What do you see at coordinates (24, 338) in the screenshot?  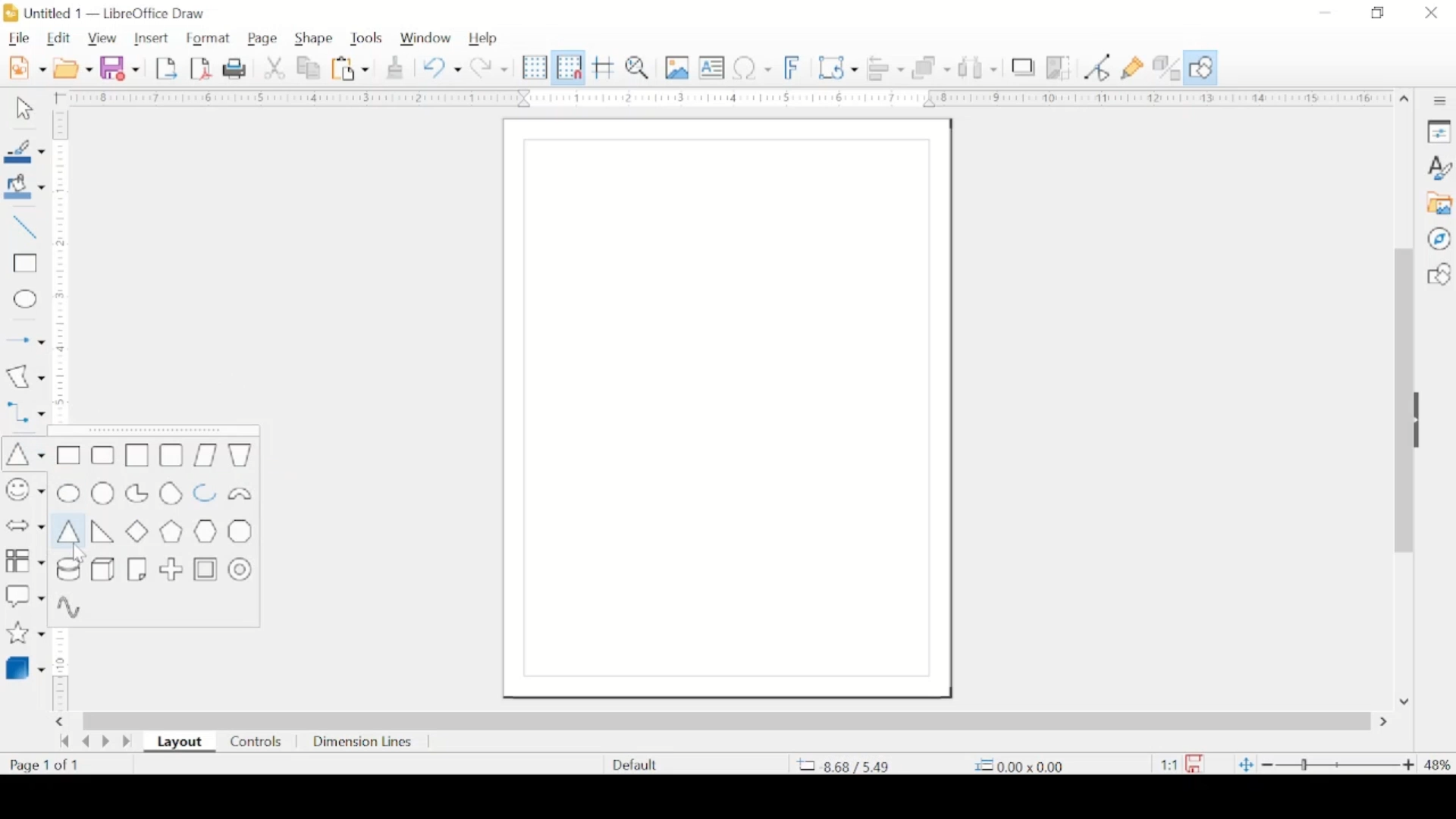 I see `insert arrow` at bounding box center [24, 338].